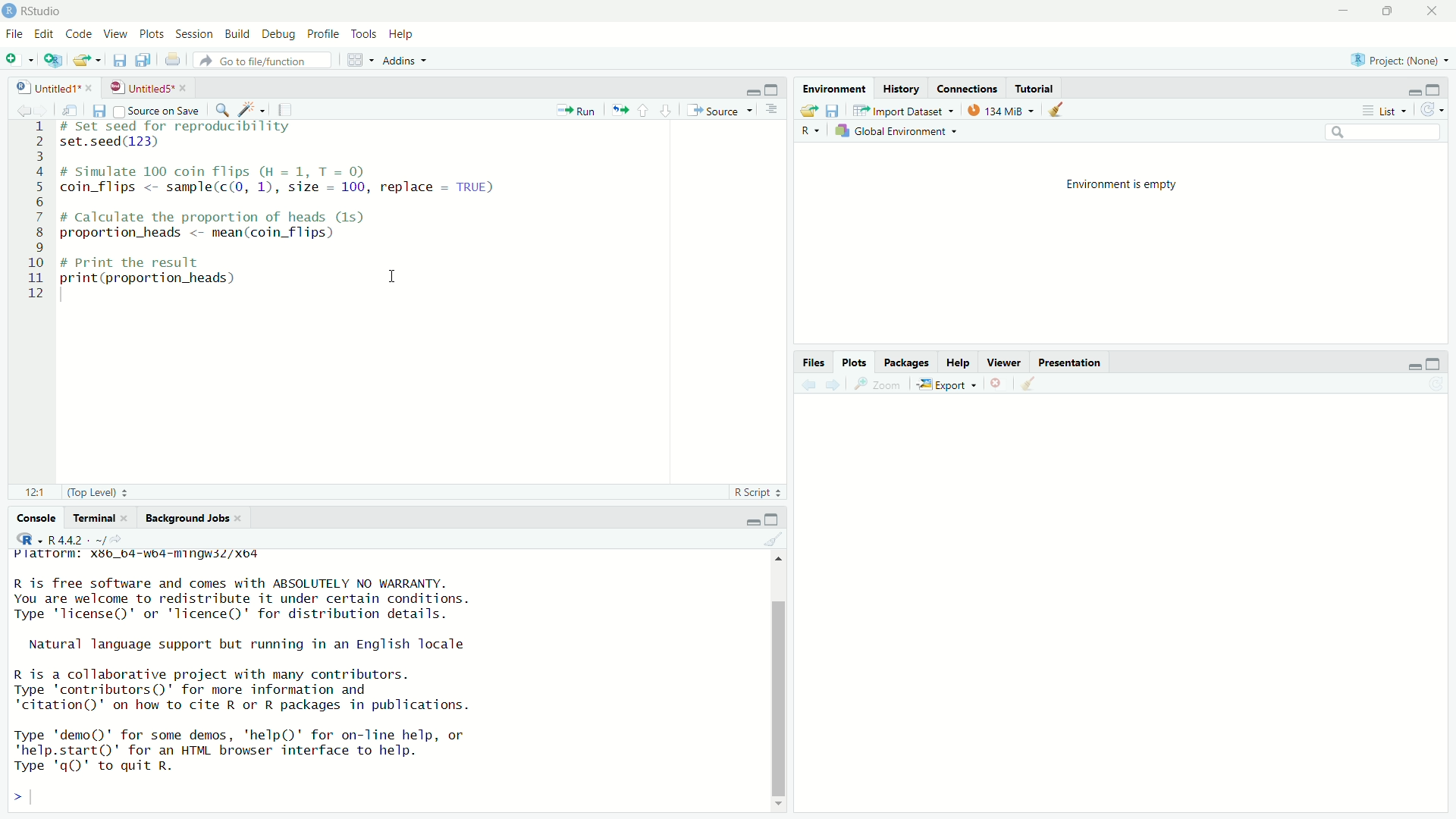 The image size is (1456, 819). Describe the element at coordinates (753, 520) in the screenshot. I see `minimize` at that location.